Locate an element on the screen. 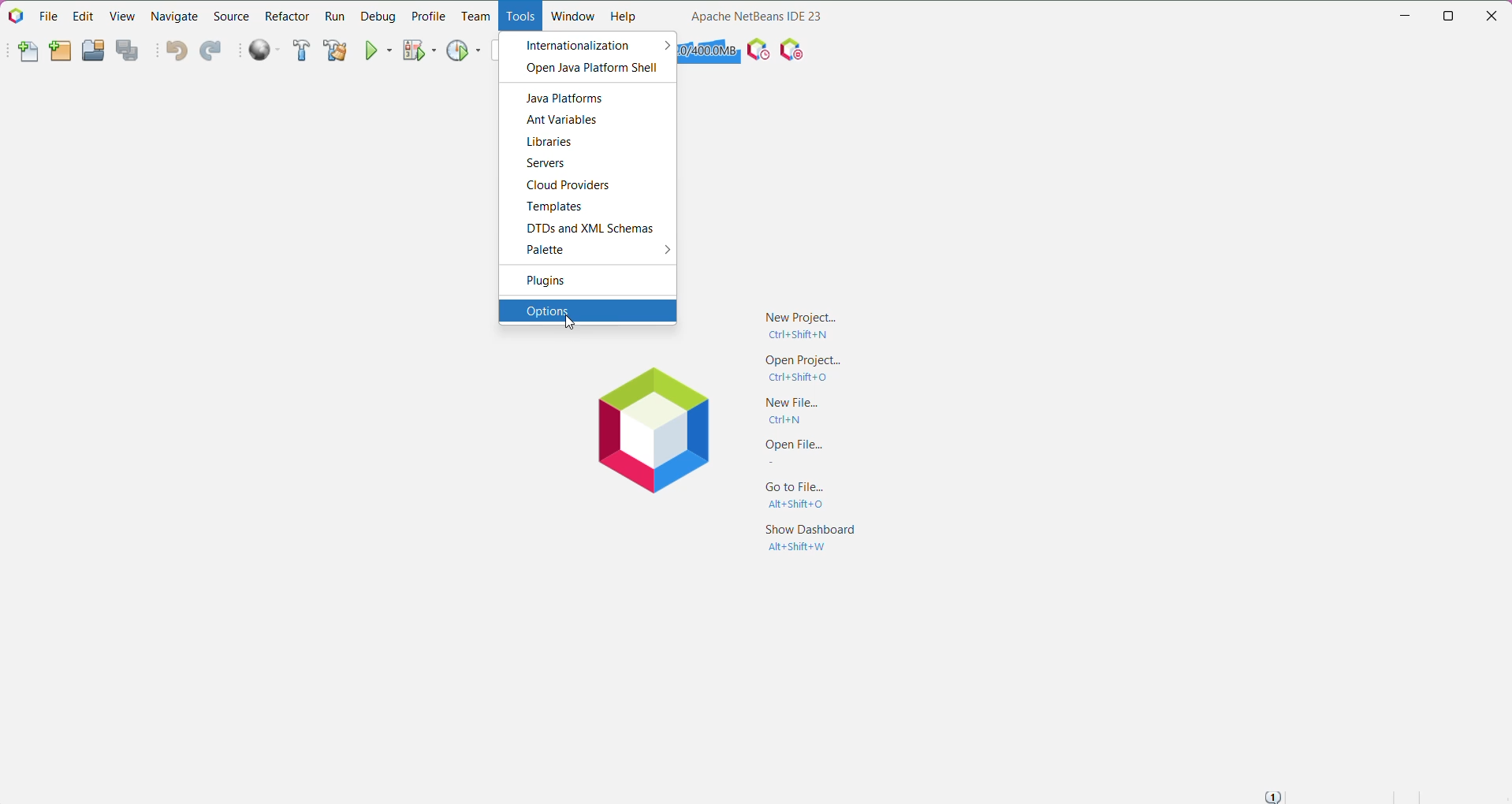 The image size is (1512, 804). Tools is located at coordinates (518, 17).